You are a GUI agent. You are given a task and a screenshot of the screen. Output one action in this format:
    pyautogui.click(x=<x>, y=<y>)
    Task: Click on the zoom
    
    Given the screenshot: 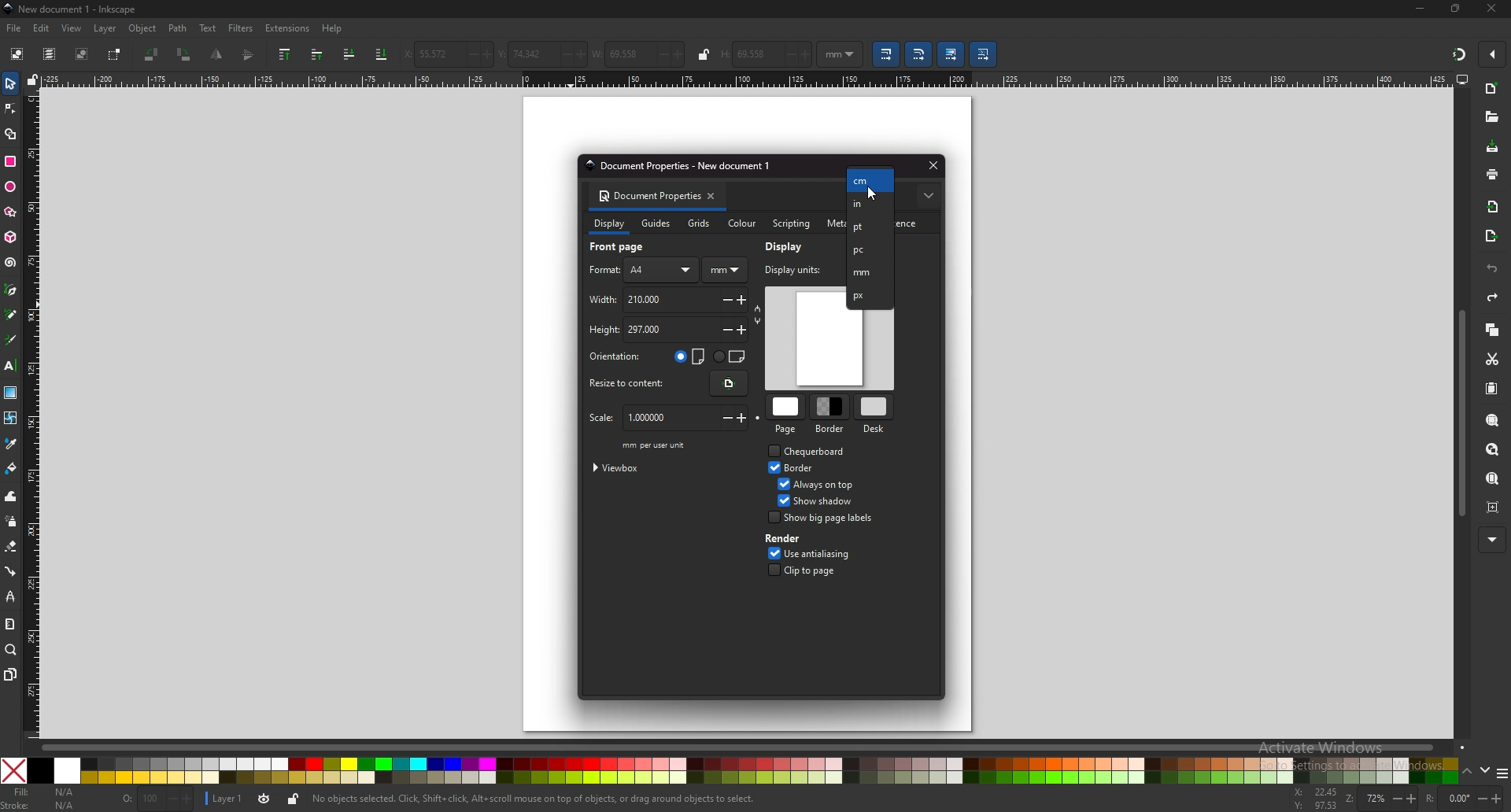 What is the action you would take?
    pyautogui.click(x=1362, y=800)
    